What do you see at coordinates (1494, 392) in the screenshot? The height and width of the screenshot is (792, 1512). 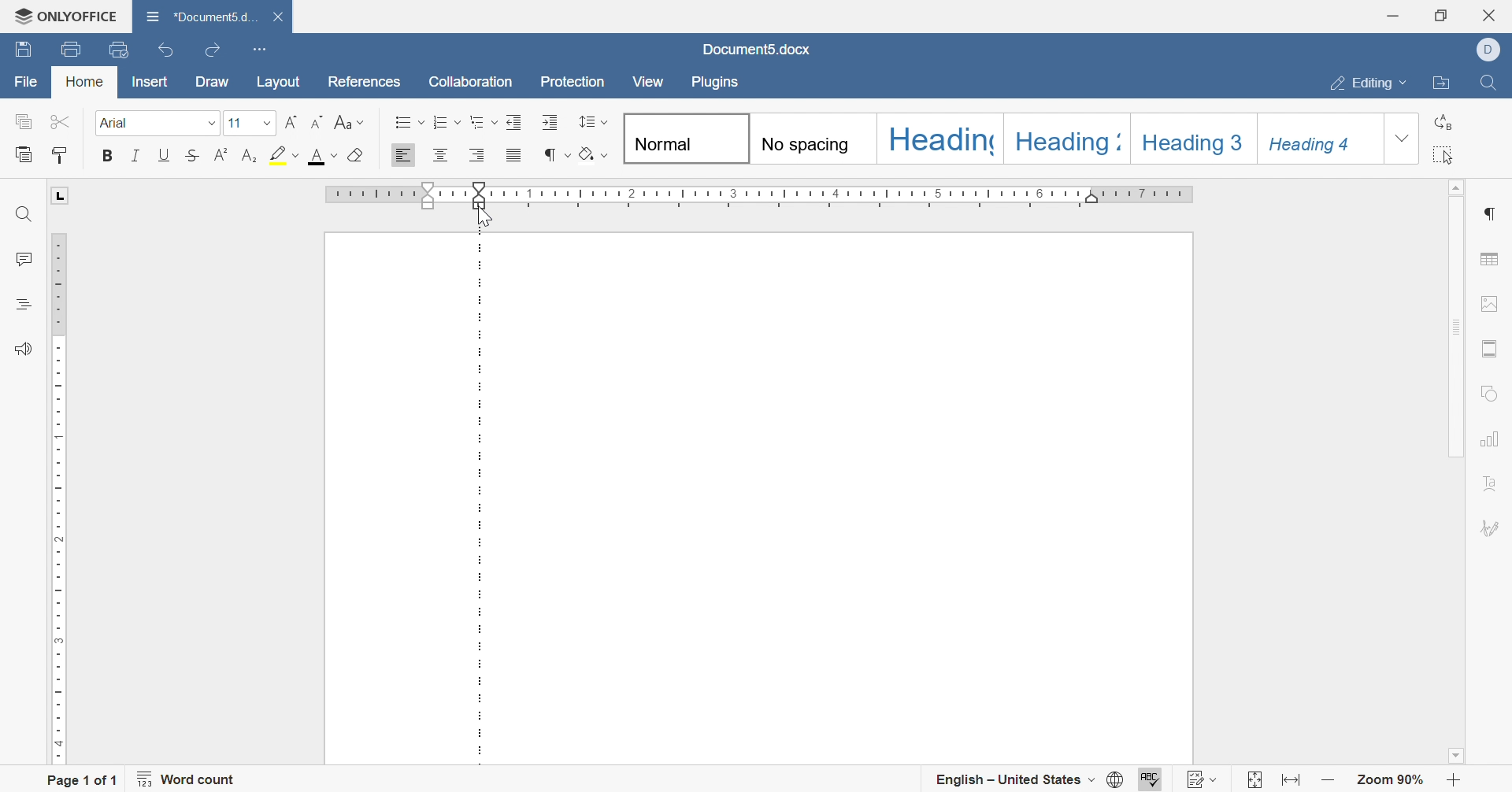 I see `shape settings` at bounding box center [1494, 392].